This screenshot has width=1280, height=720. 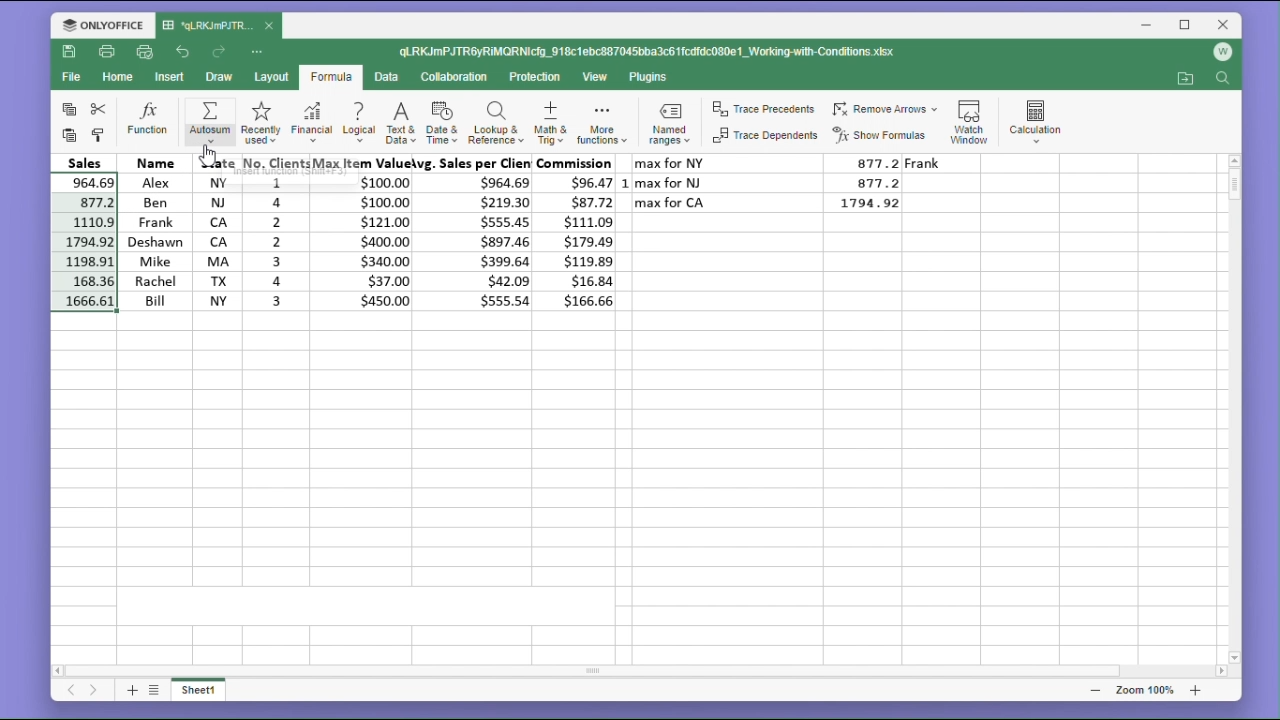 I want to click on date & time, so click(x=443, y=124).